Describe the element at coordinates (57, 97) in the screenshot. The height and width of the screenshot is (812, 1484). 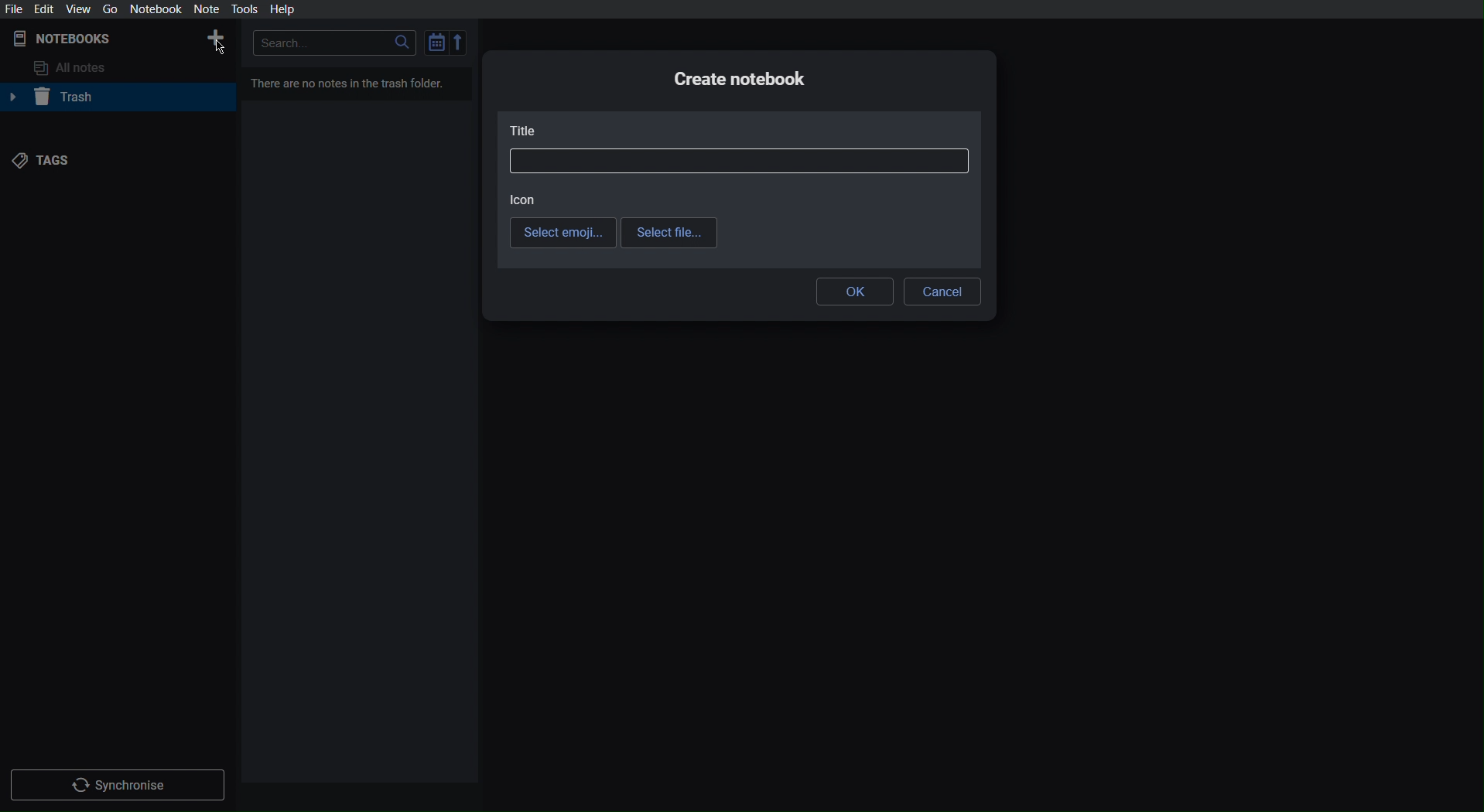
I see `Trash` at that location.